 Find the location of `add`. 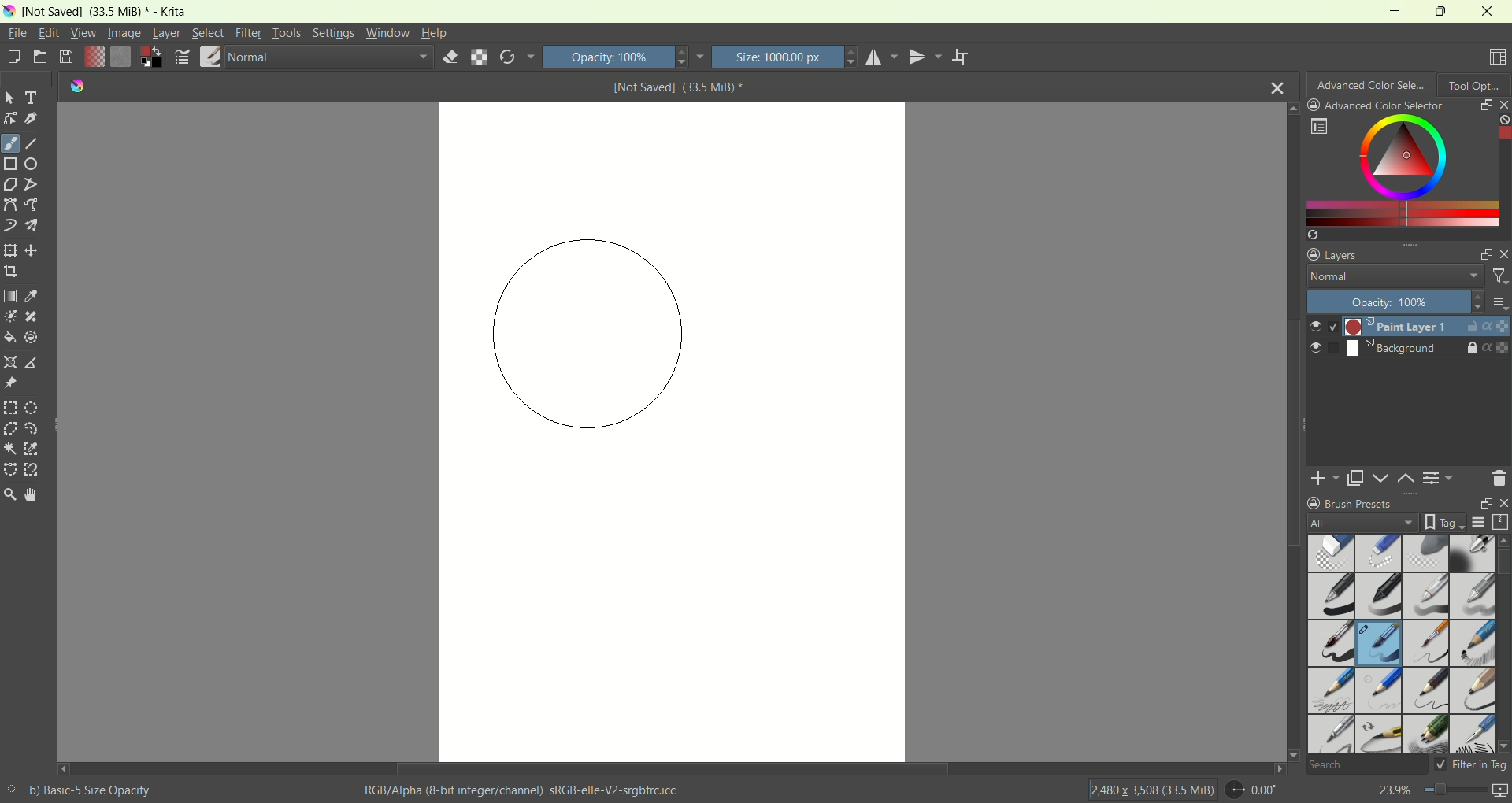

add is located at coordinates (1325, 477).